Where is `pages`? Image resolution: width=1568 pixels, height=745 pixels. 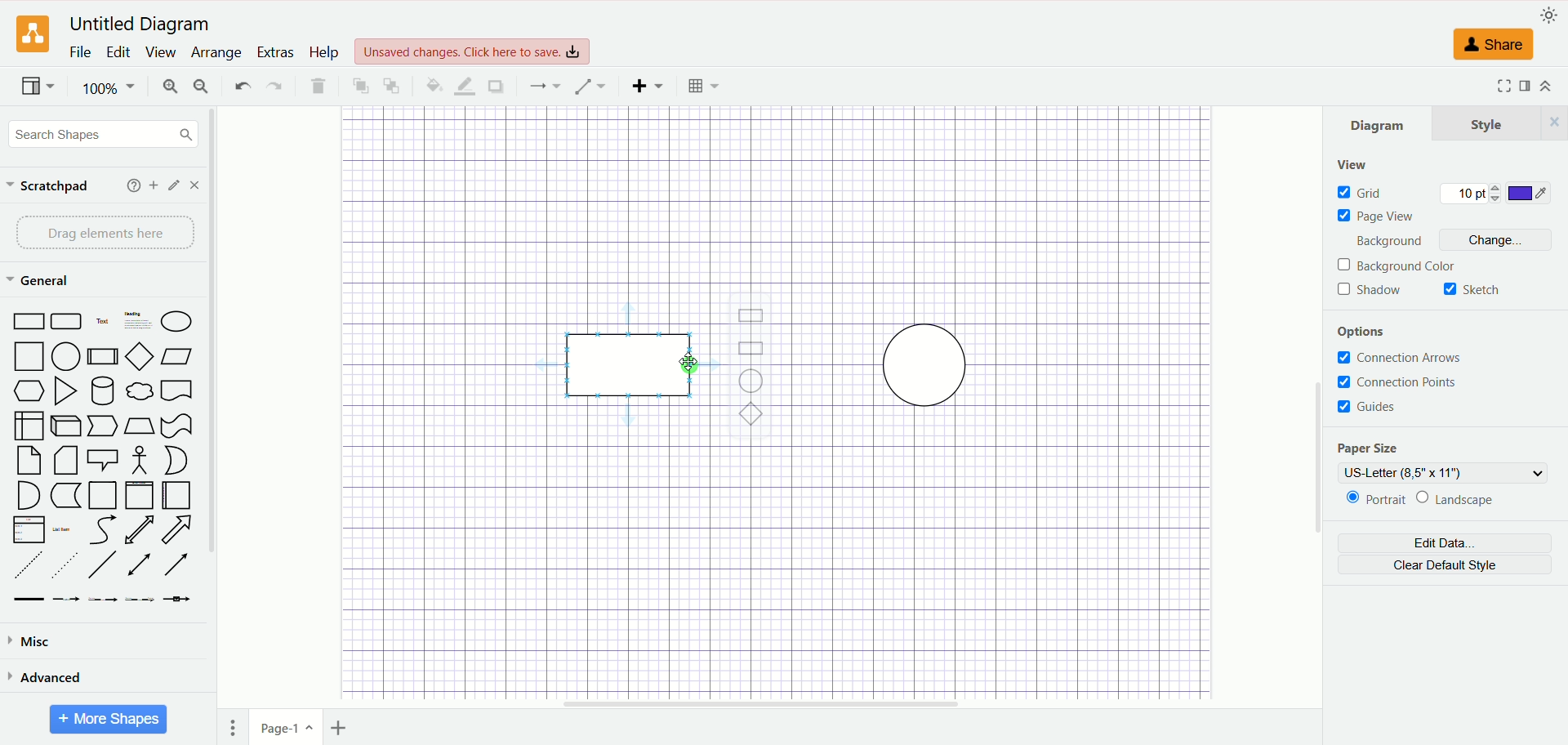 pages is located at coordinates (234, 728).